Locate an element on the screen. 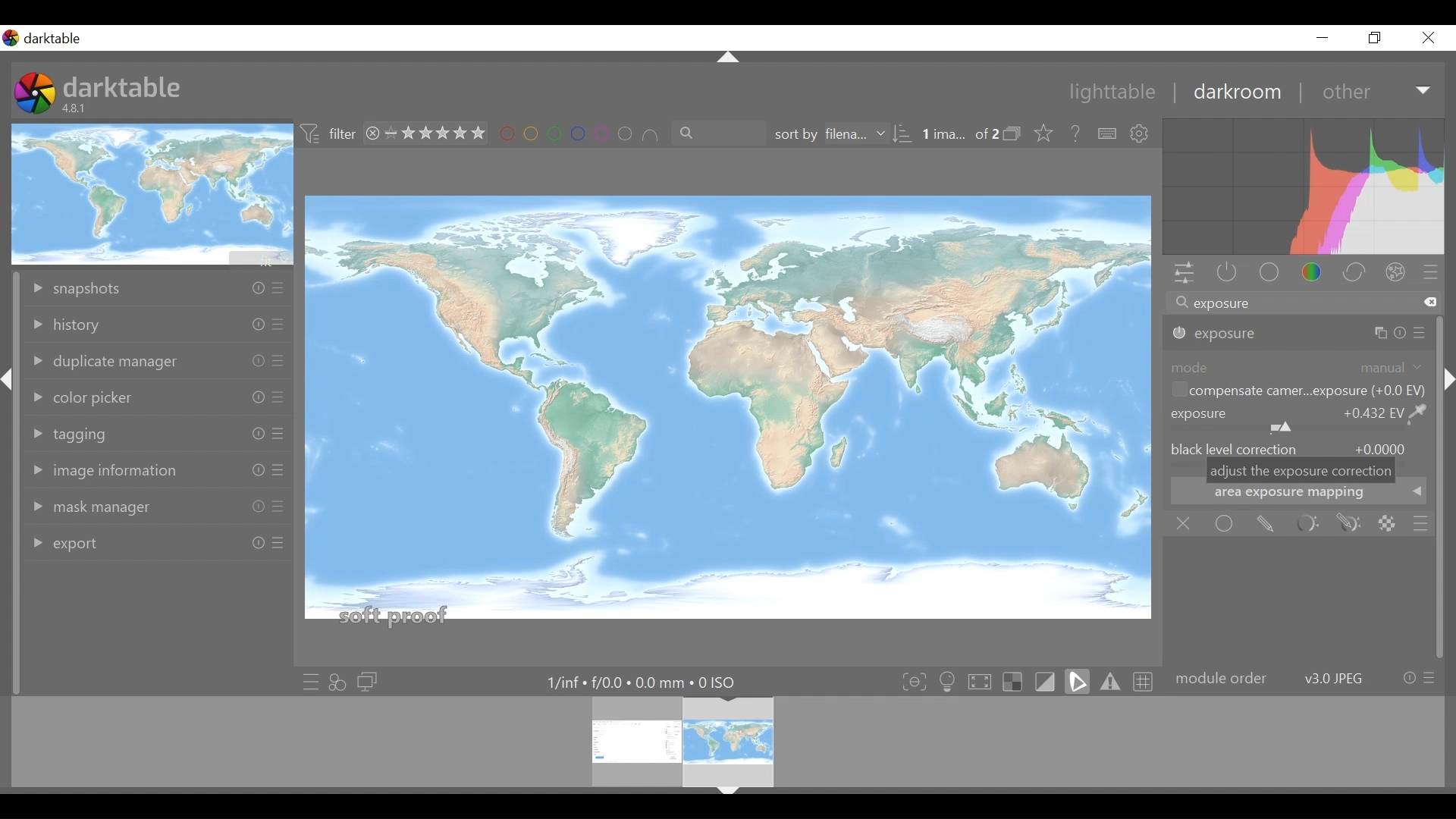 This screenshot has width=1456, height=819. main editing area is located at coordinates (729, 414).